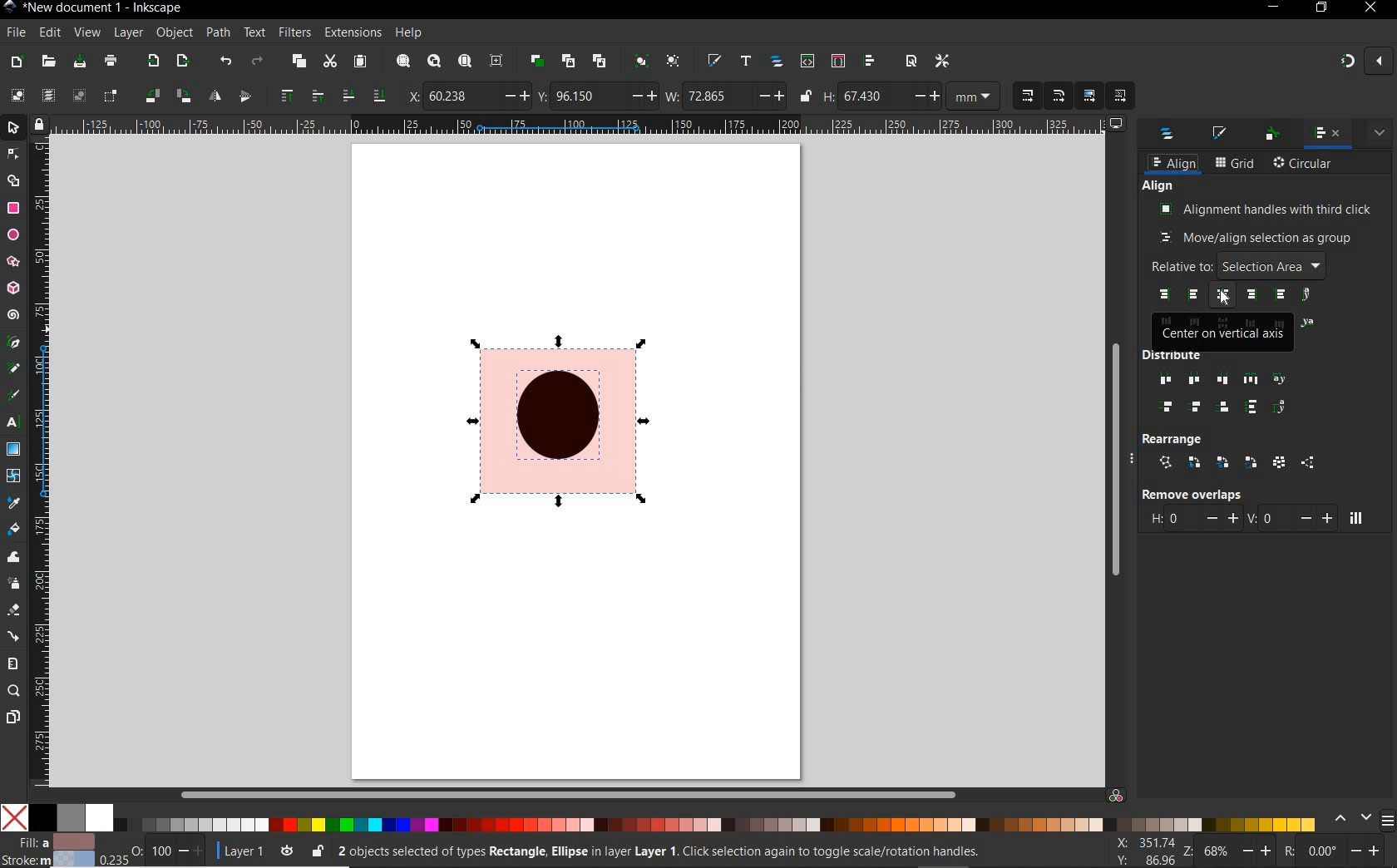  What do you see at coordinates (17, 95) in the screenshot?
I see `select all` at bounding box center [17, 95].